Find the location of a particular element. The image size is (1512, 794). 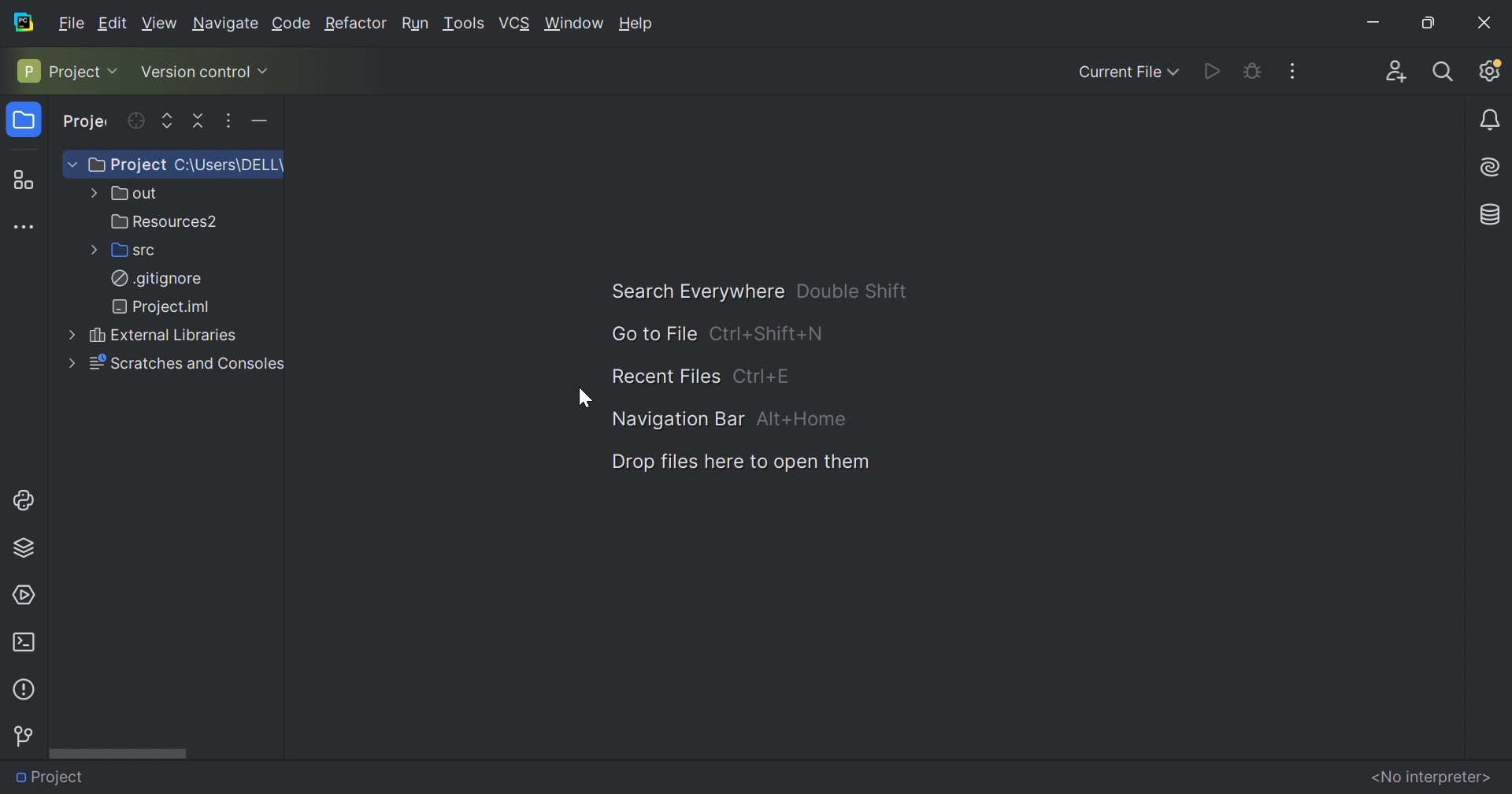

External Libraries is located at coordinates (160, 336).